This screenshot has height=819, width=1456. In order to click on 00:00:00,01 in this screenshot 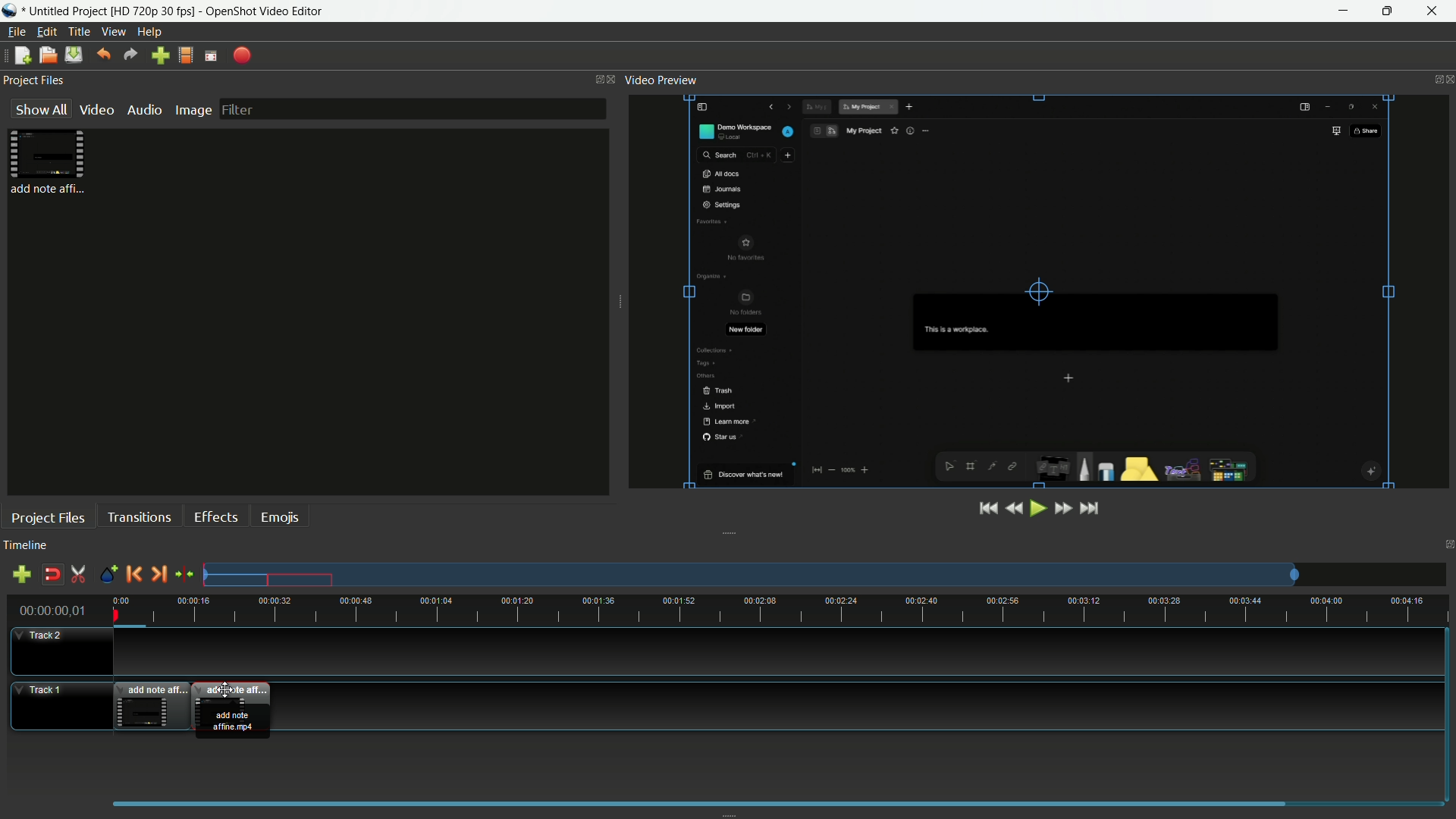, I will do `click(53, 609)`.